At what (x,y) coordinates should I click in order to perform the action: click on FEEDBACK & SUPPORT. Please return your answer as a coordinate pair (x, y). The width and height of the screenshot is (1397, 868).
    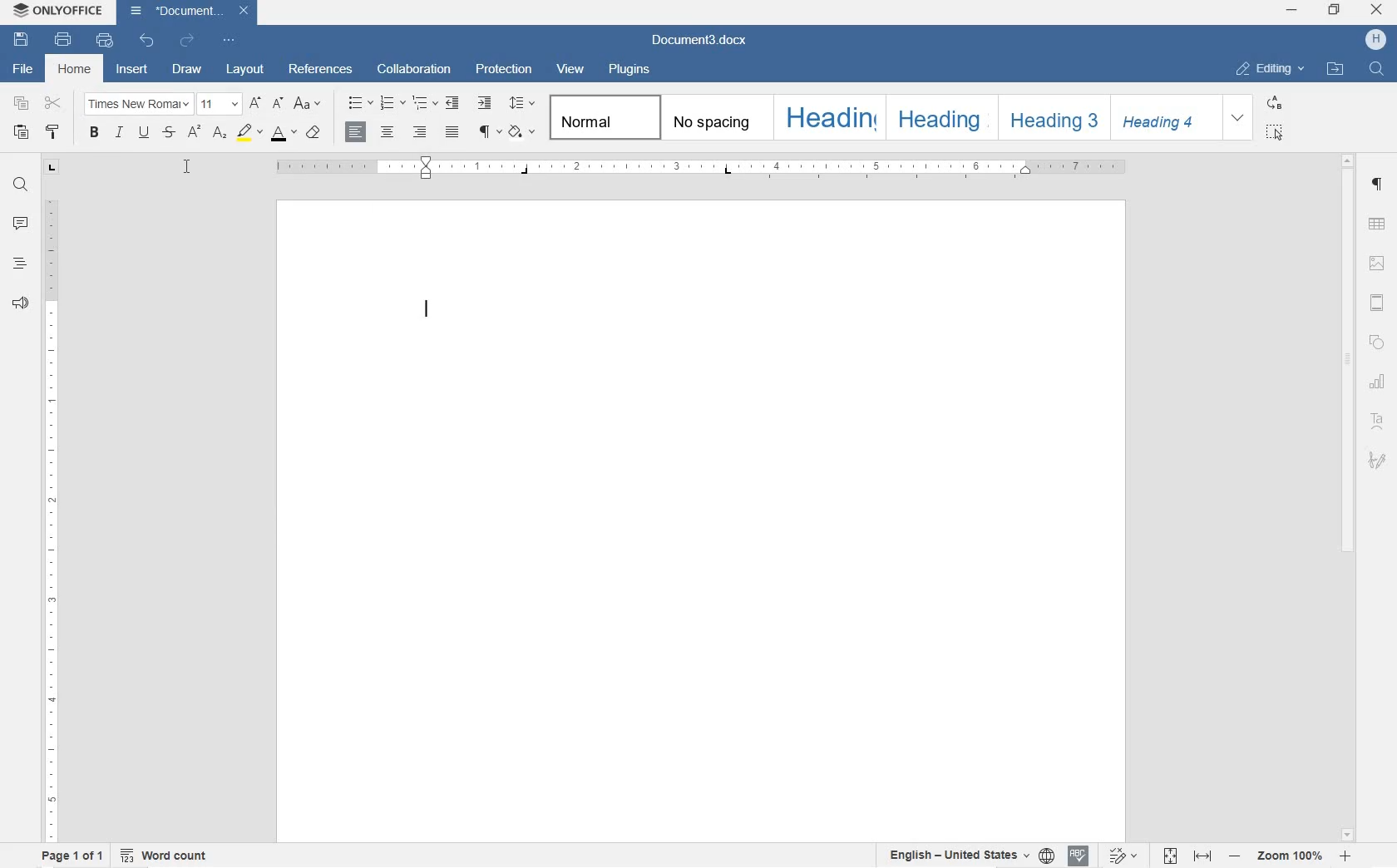
    Looking at the image, I should click on (22, 303).